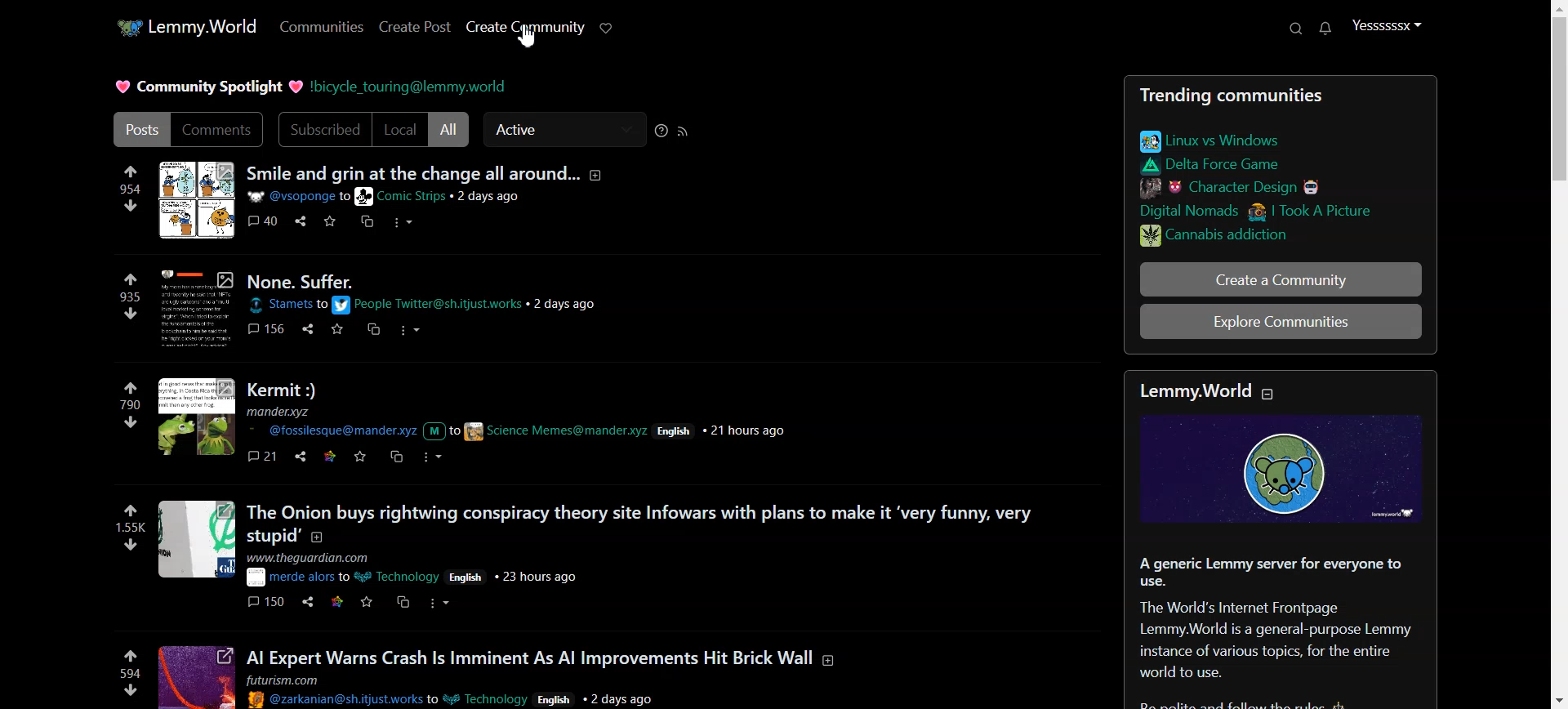  What do you see at coordinates (372, 330) in the screenshot?
I see `cross share` at bounding box center [372, 330].